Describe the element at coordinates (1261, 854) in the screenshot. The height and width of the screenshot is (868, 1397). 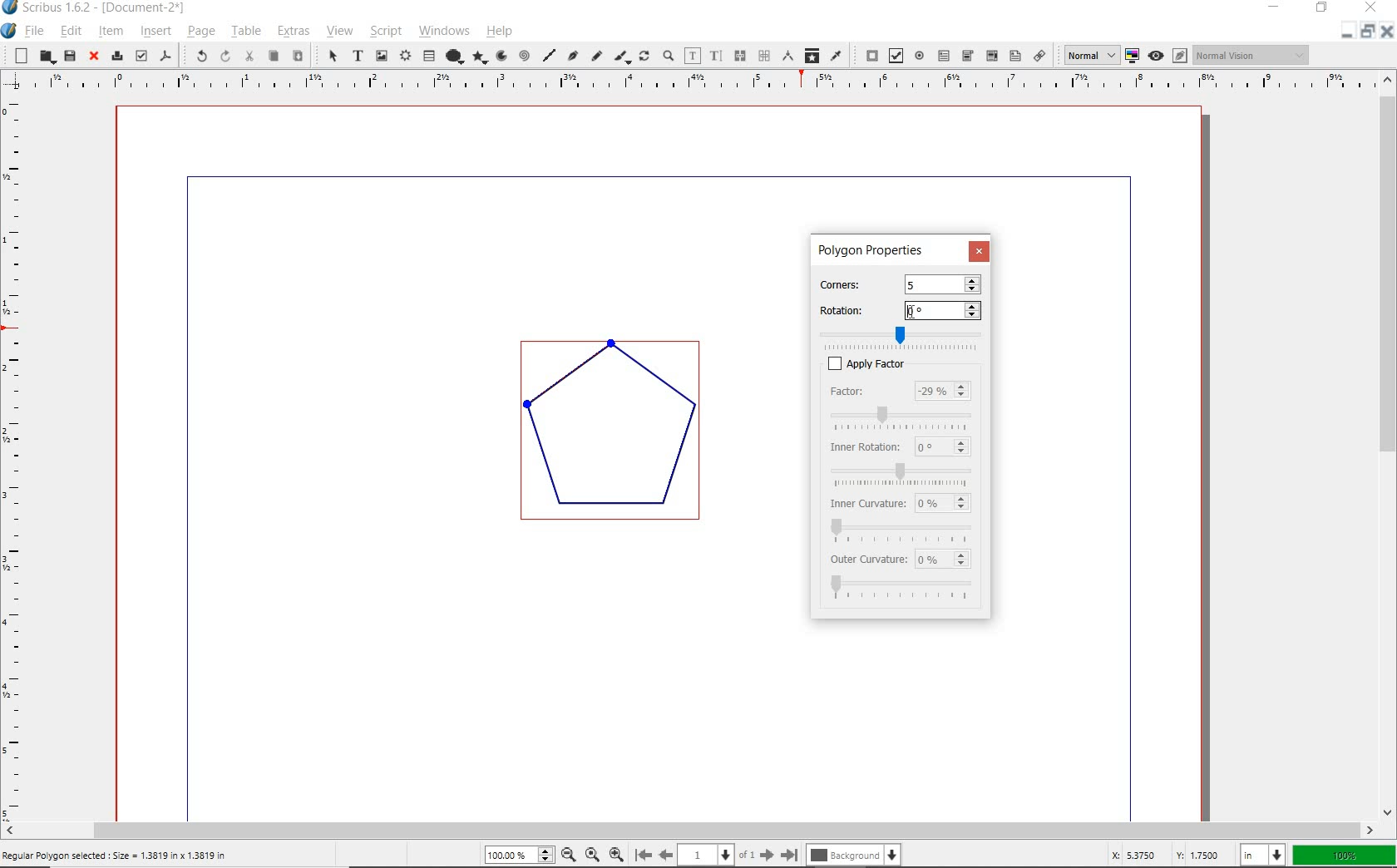
I see `select unit` at that location.